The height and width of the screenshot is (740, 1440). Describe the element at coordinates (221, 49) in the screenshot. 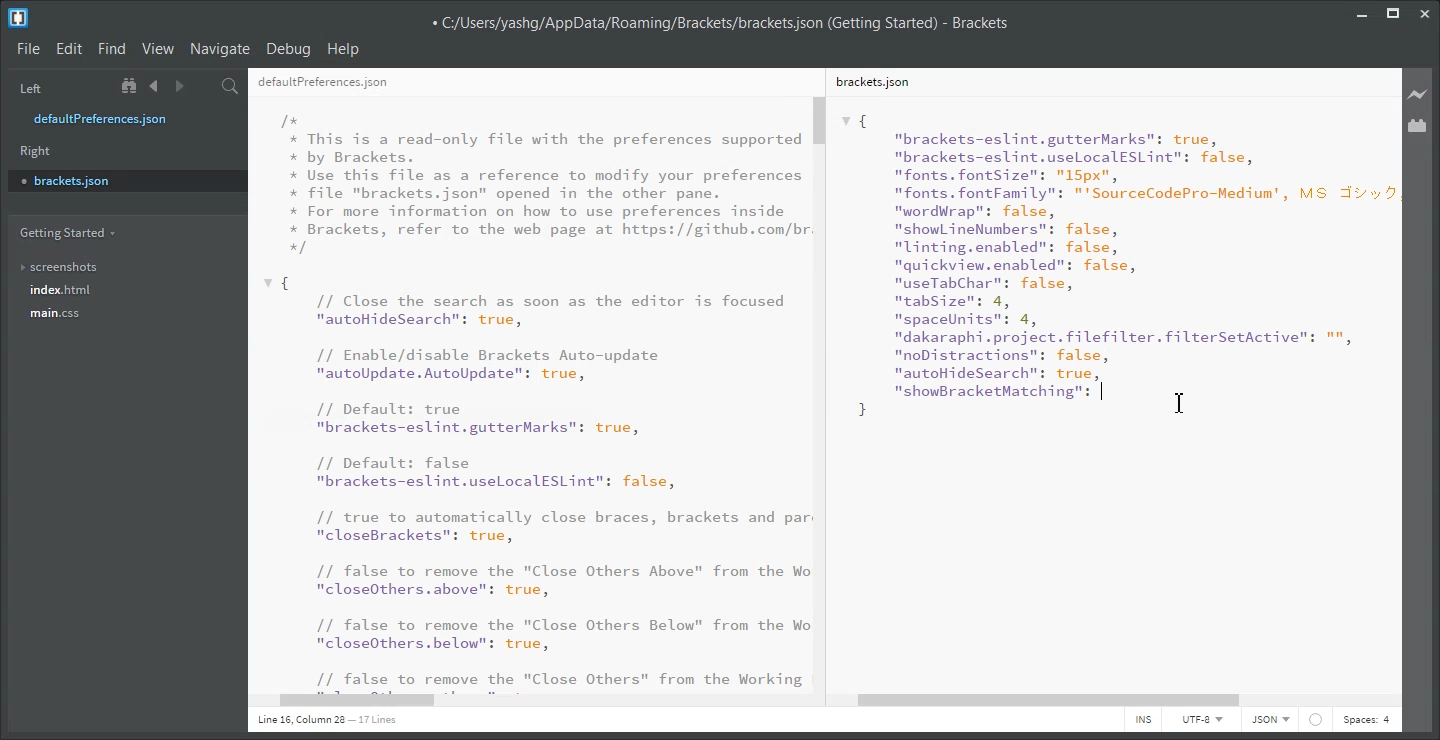

I see `Navigate` at that location.